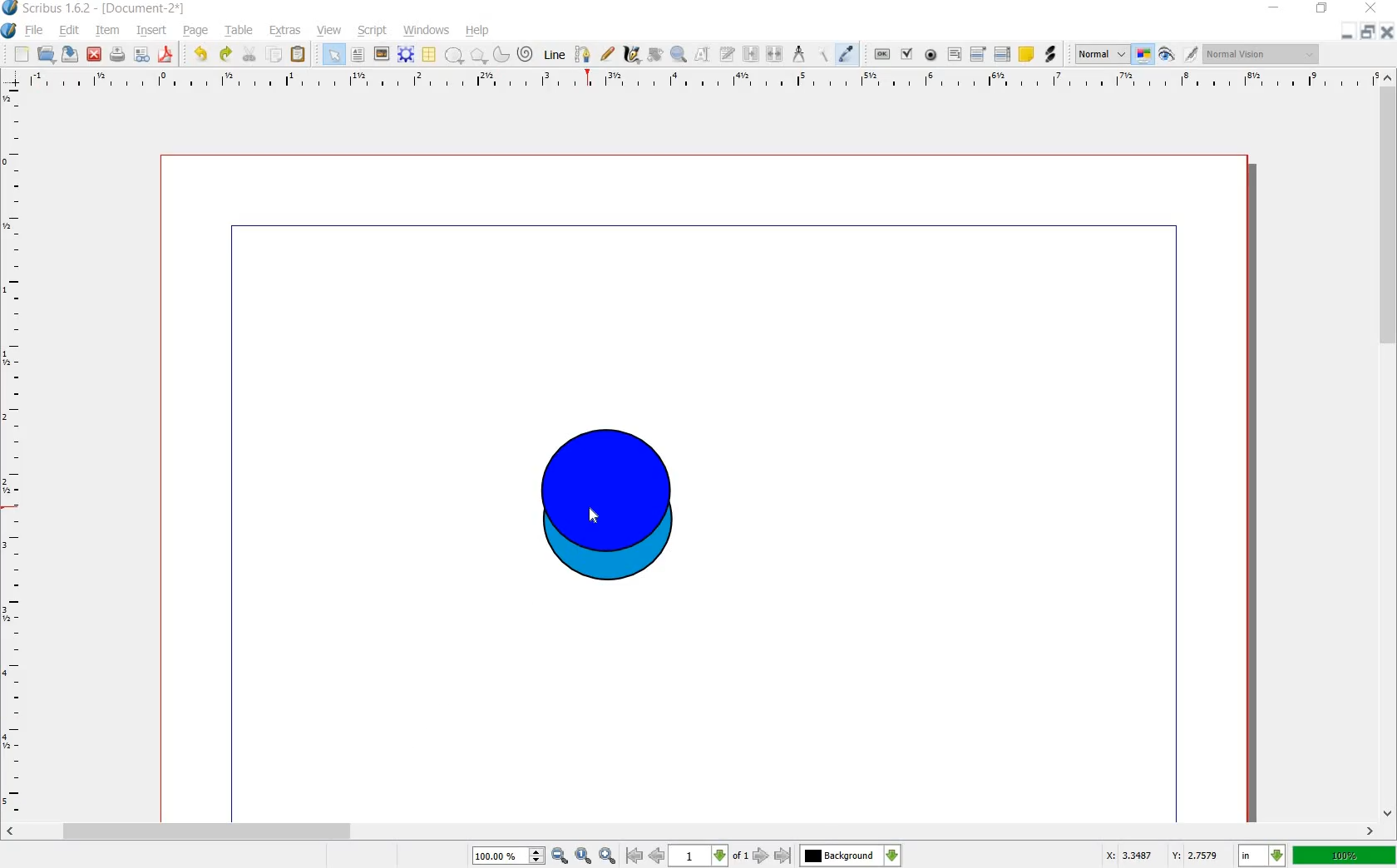  I want to click on cursor, so click(597, 517).